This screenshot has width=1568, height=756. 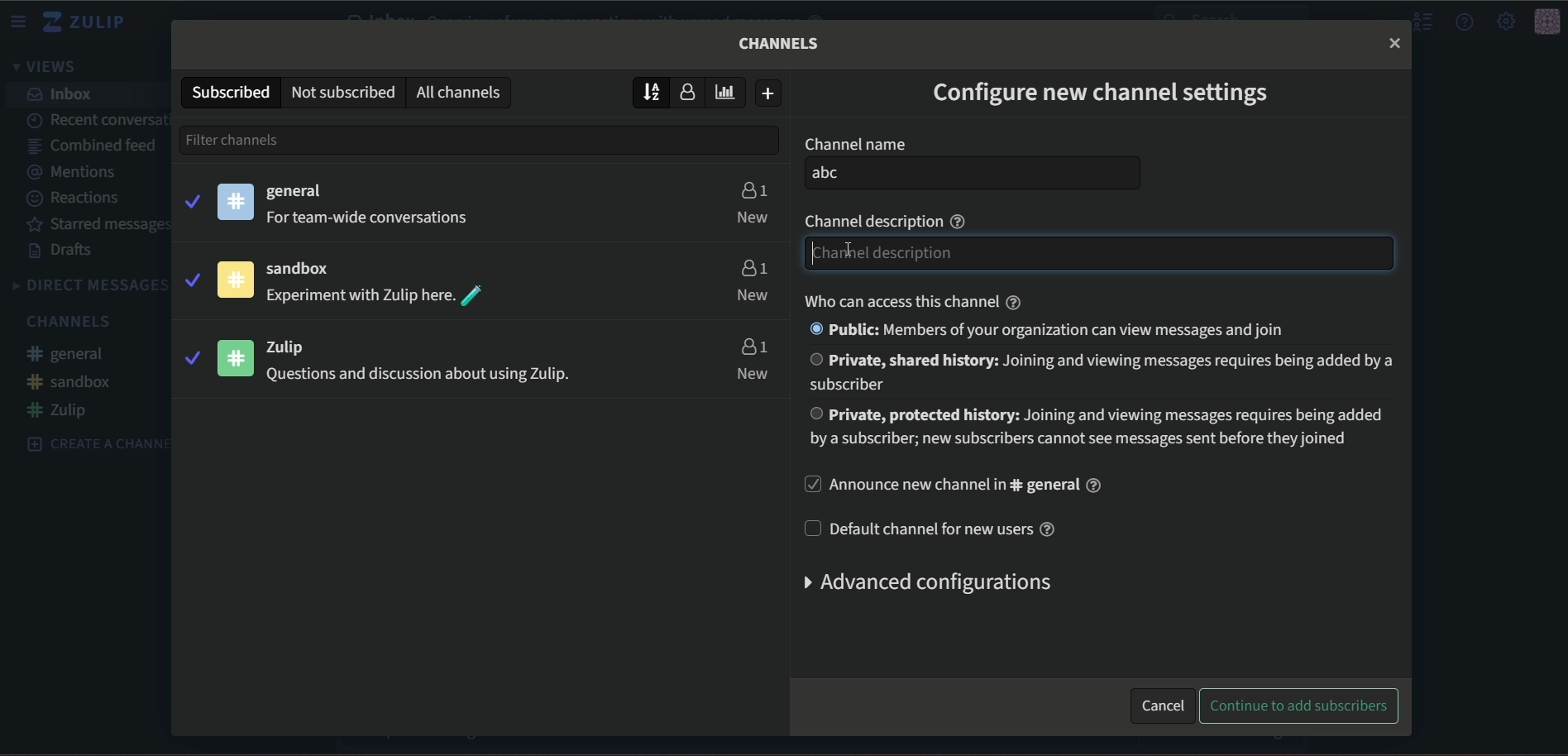 I want to click on reactions, so click(x=76, y=199).